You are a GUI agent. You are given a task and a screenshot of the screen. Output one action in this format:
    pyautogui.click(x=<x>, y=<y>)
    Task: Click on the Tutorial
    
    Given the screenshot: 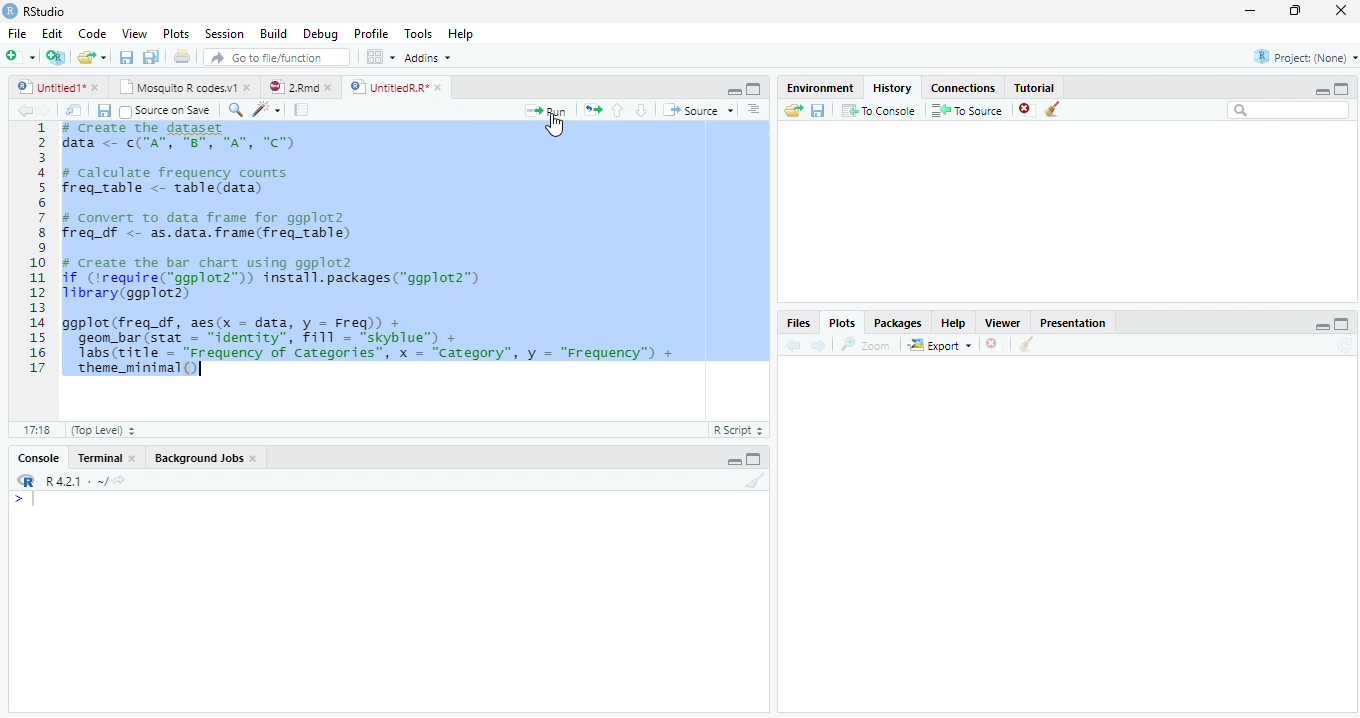 What is the action you would take?
    pyautogui.click(x=1035, y=87)
    